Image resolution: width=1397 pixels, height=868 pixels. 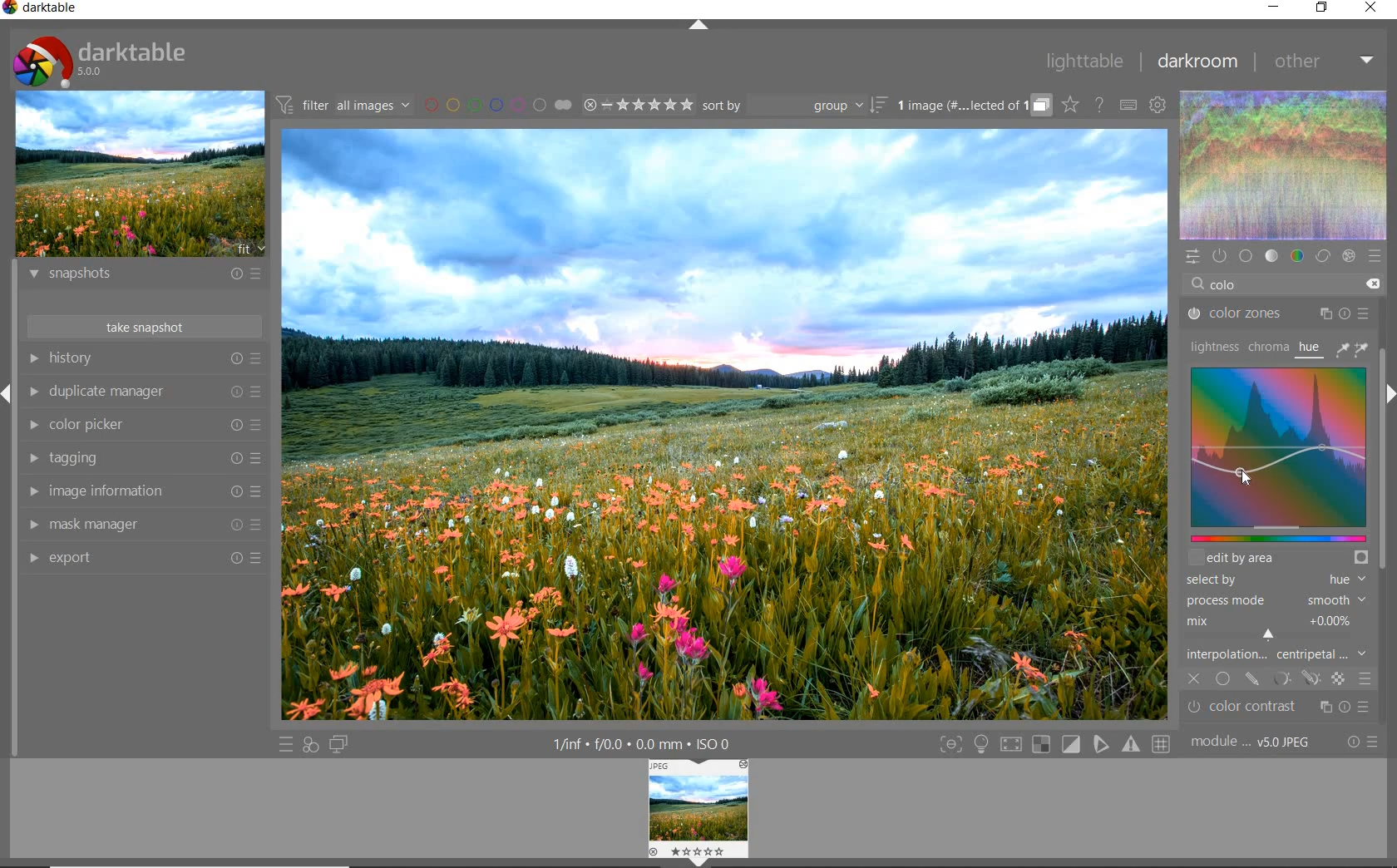 I want to click on display a second darkroom image window, so click(x=338, y=743).